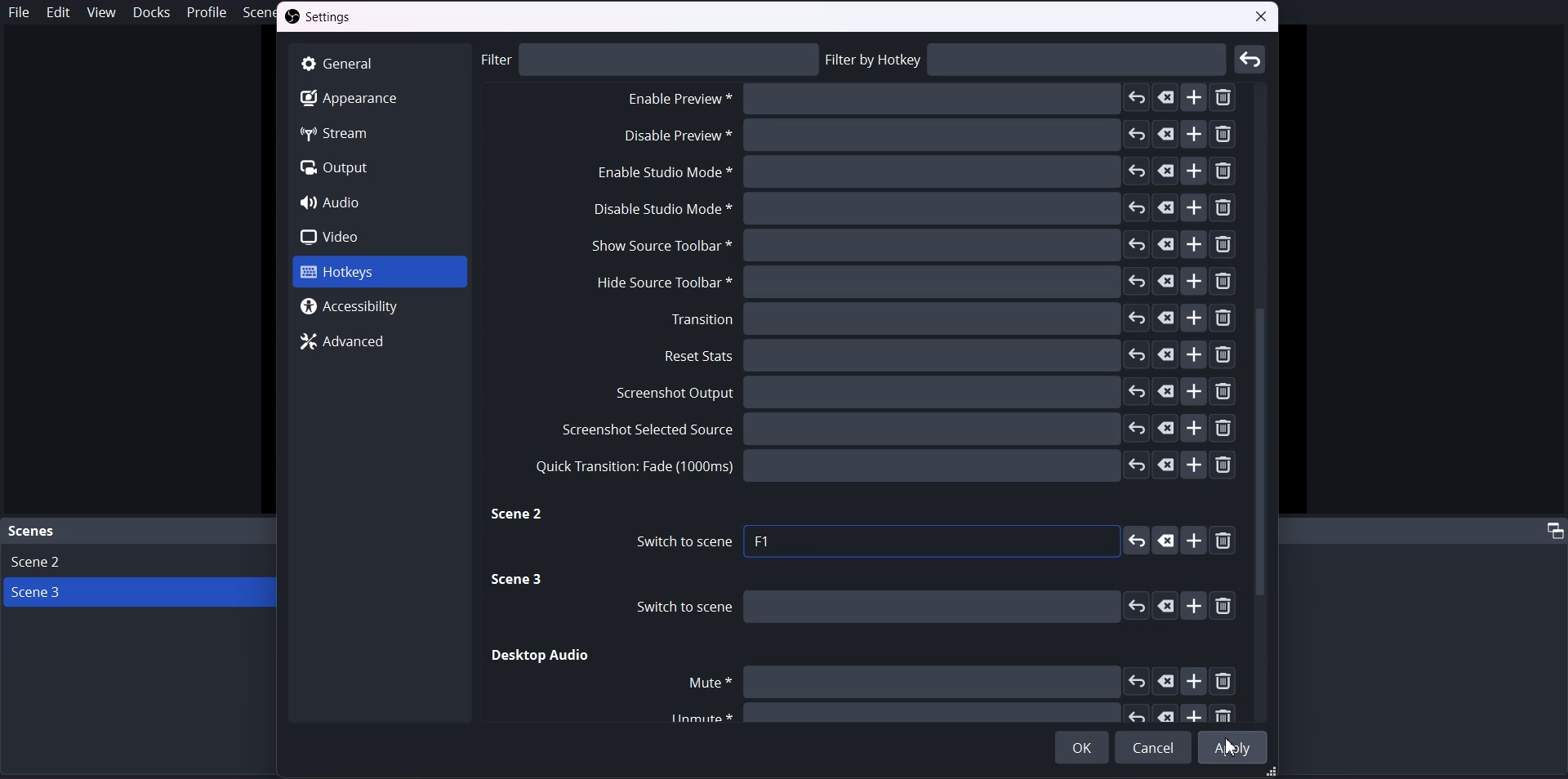  What do you see at coordinates (958, 681) in the screenshot?
I see `mute` at bounding box center [958, 681].